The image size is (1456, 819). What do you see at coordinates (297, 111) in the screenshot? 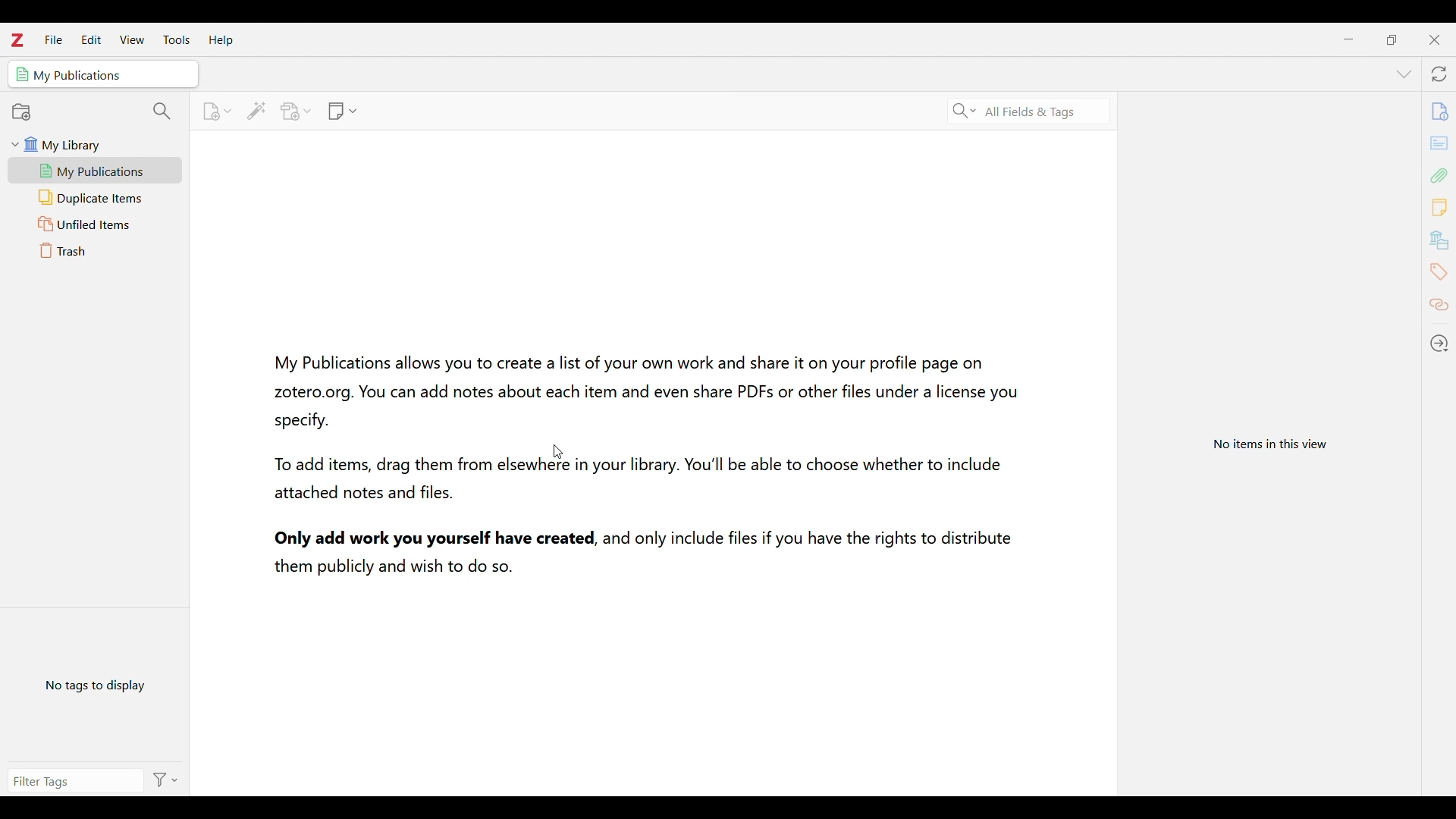
I see `Options to add attachment ` at bounding box center [297, 111].